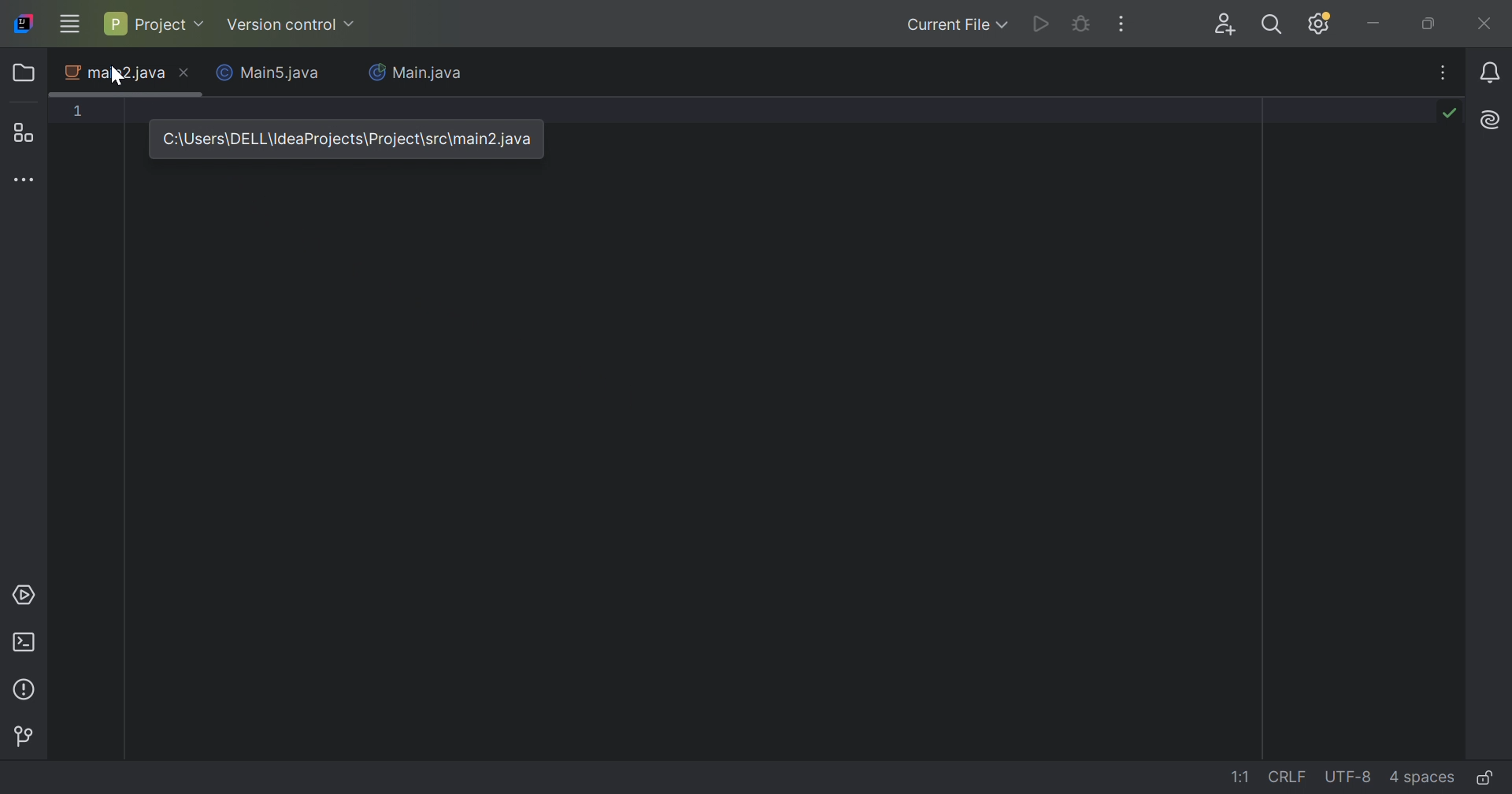 The image size is (1512, 794). What do you see at coordinates (27, 690) in the screenshot?
I see `Problems` at bounding box center [27, 690].